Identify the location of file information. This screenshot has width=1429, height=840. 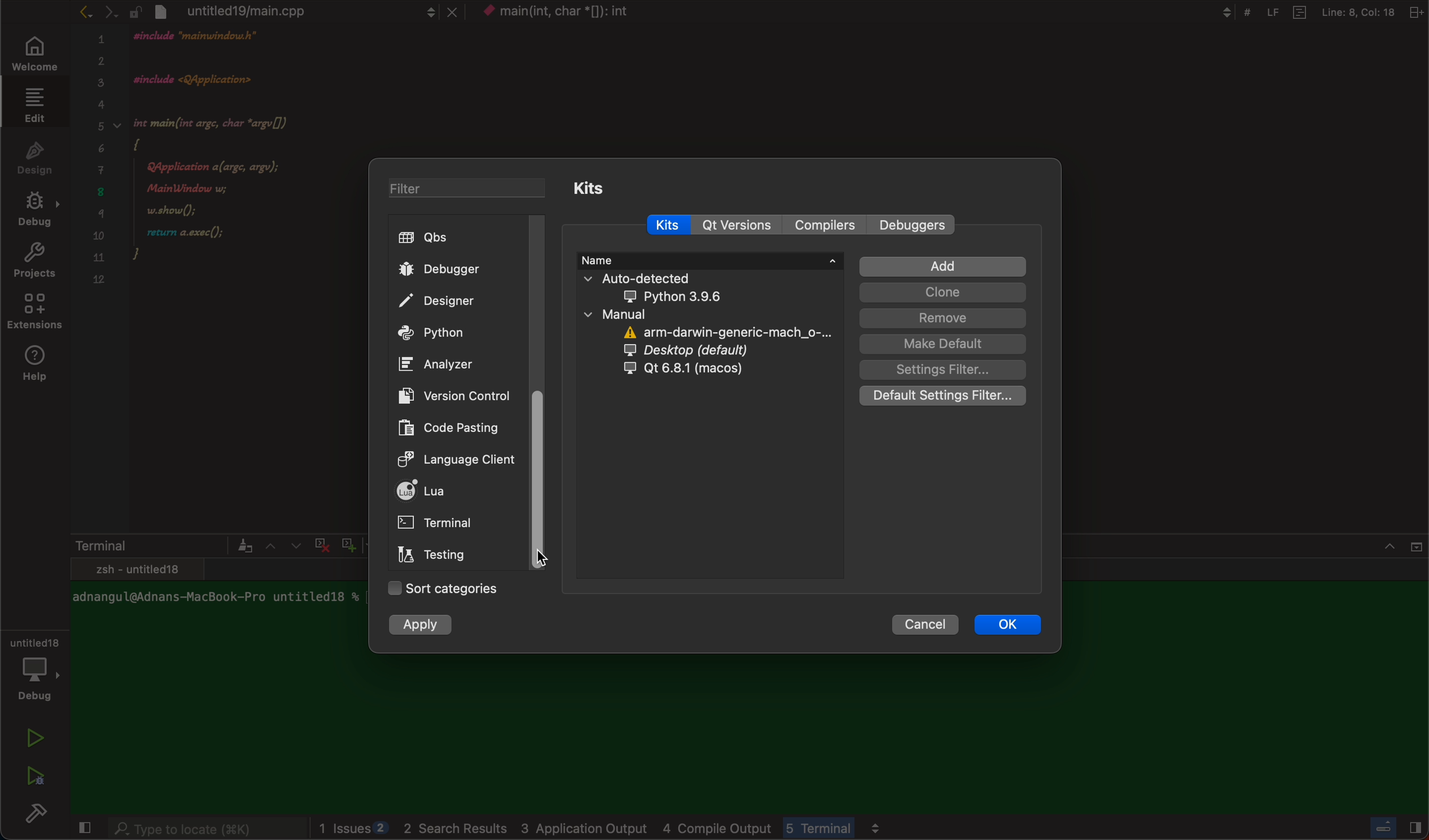
(1313, 12).